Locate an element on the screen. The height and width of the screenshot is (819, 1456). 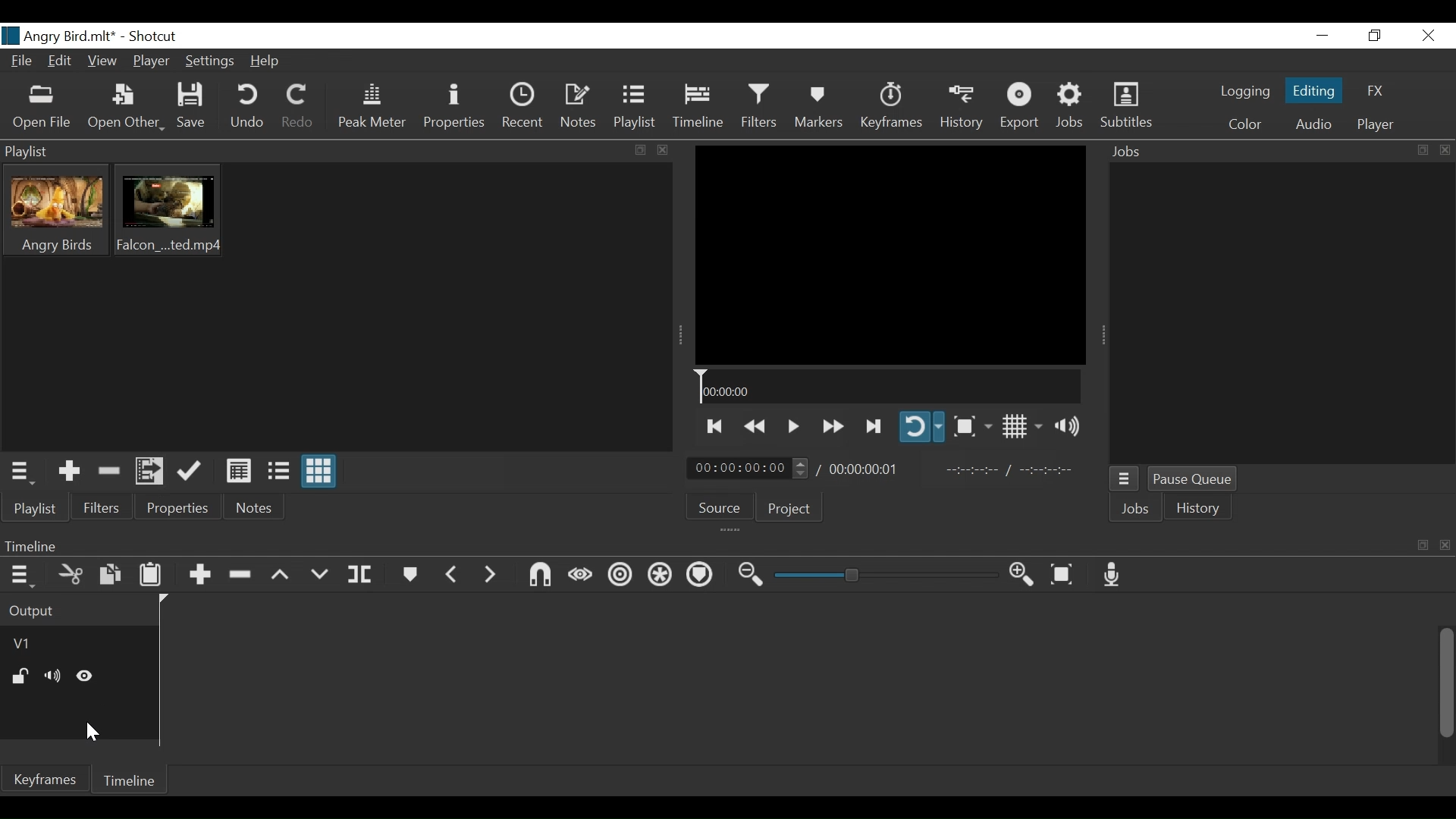
Settings is located at coordinates (210, 62).